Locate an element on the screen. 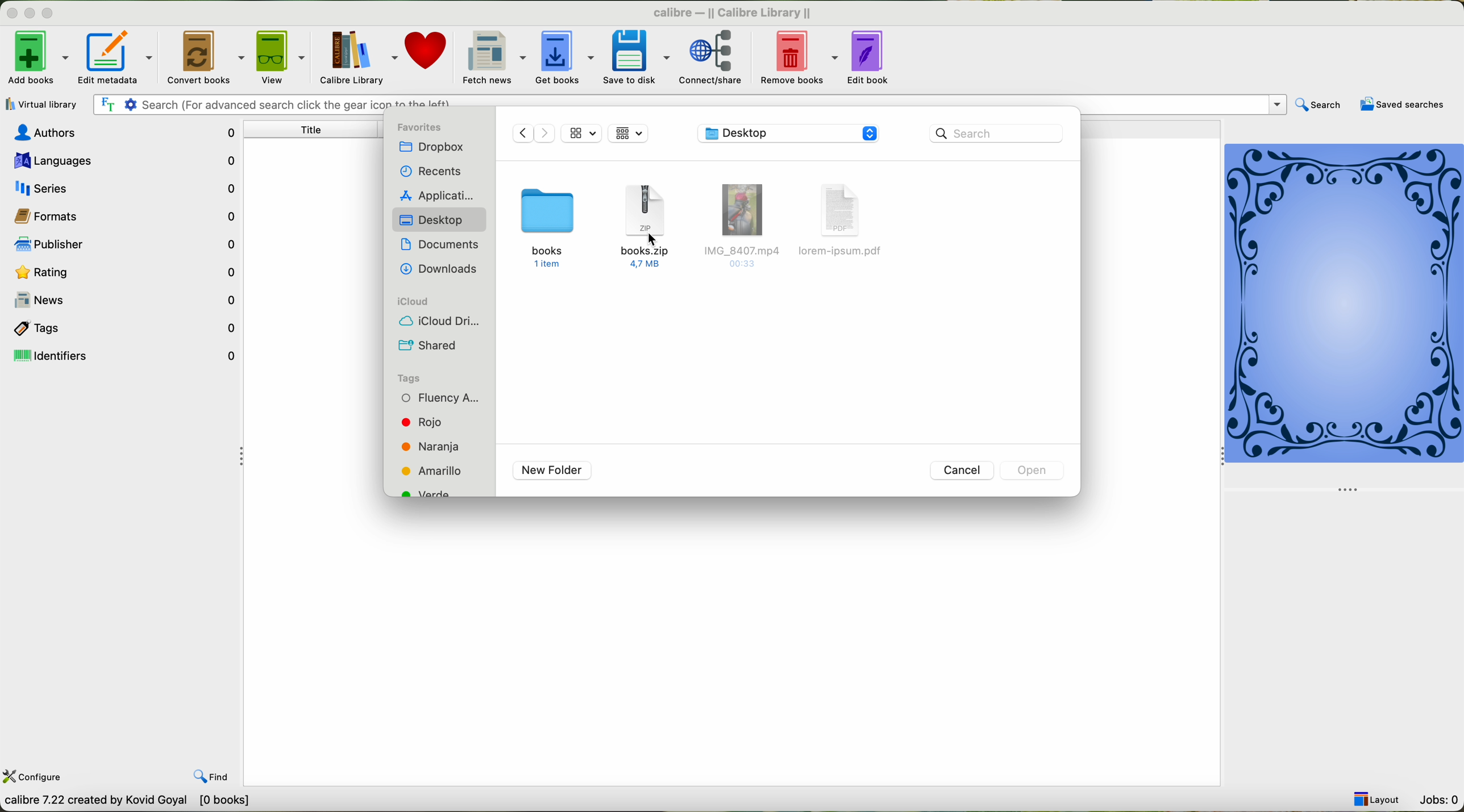  desktop is located at coordinates (432, 220).